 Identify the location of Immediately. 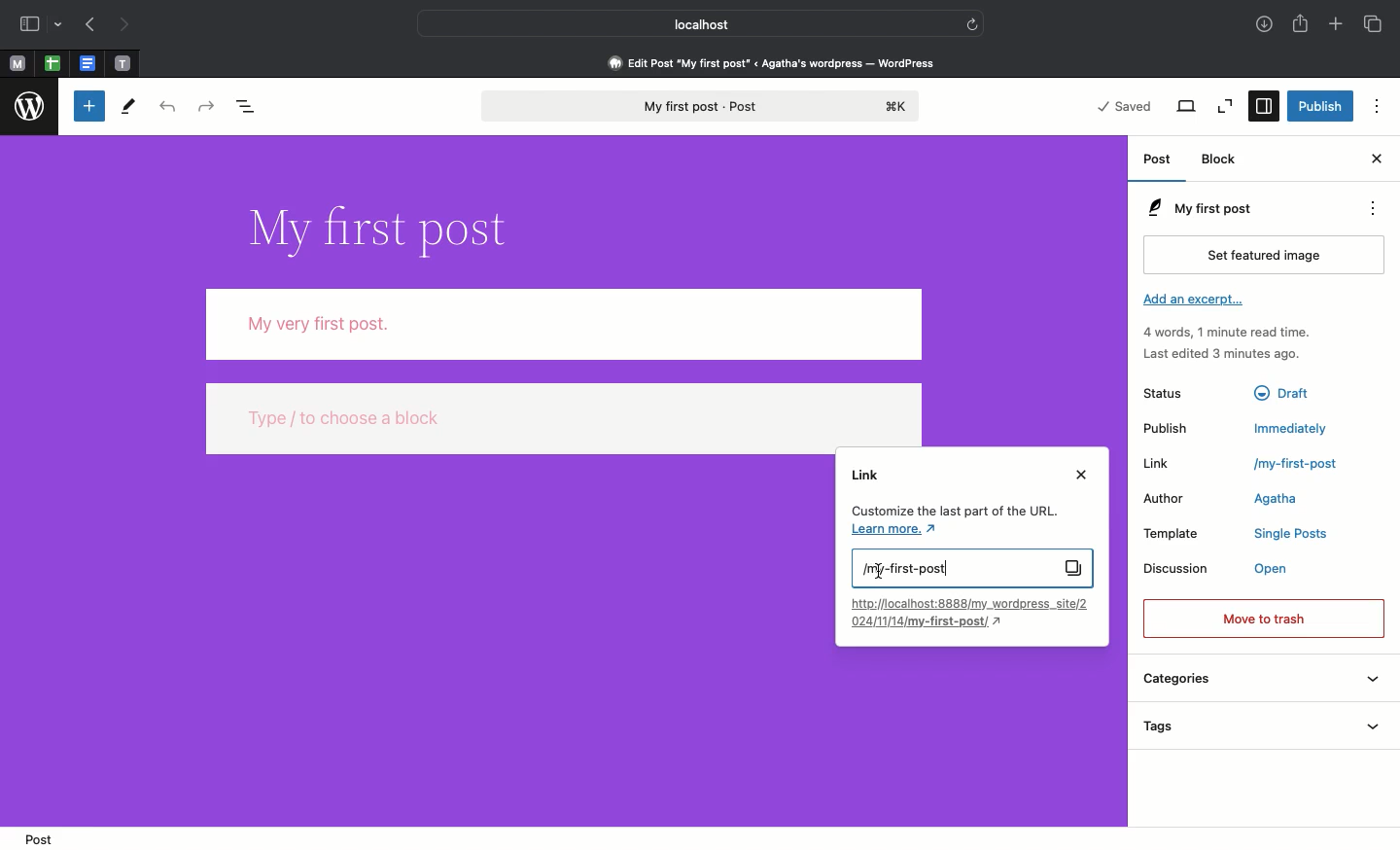
(1293, 427).